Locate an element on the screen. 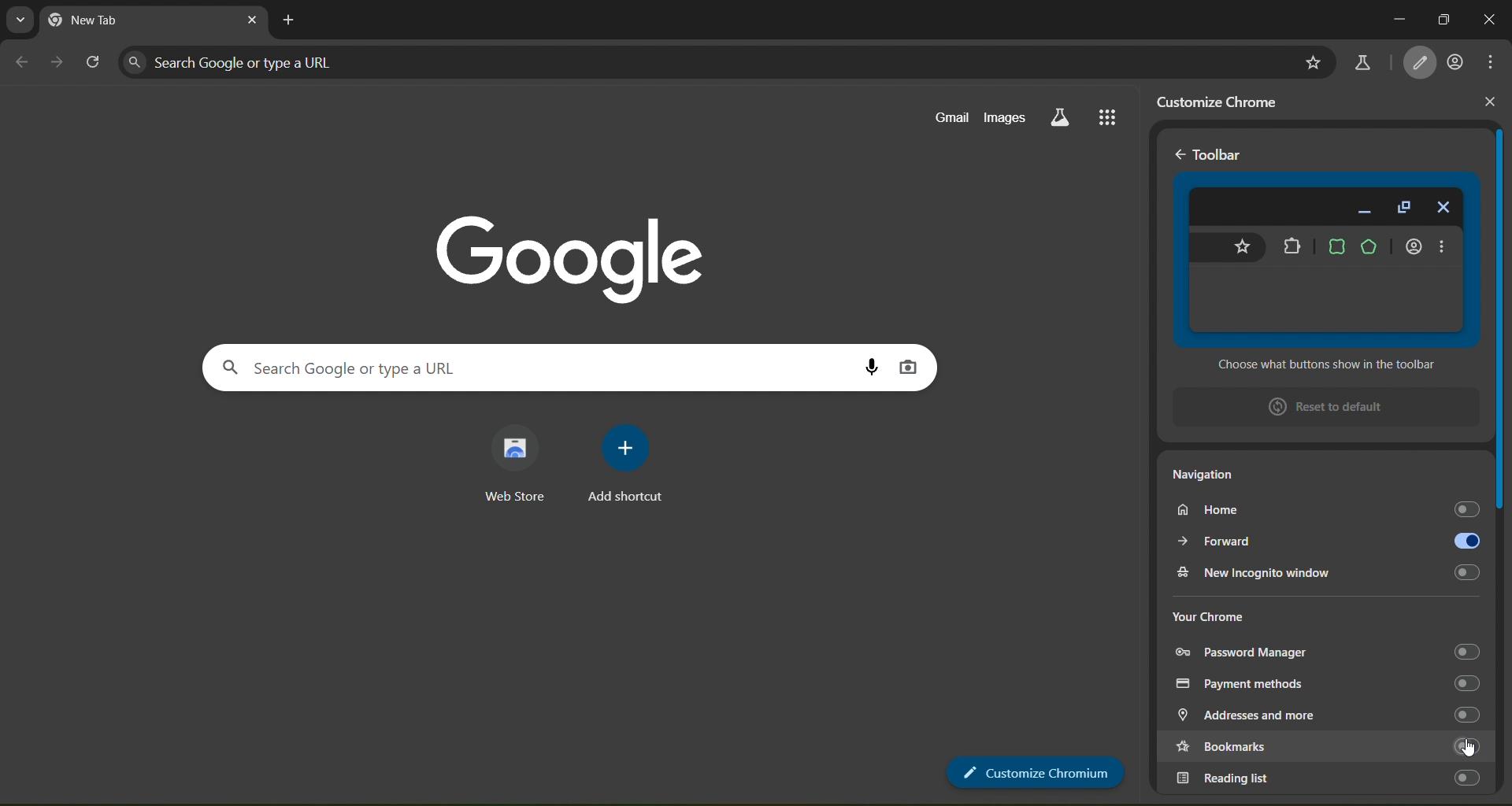 The width and height of the screenshot is (1512, 806). your chrome is located at coordinates (1209, 614).